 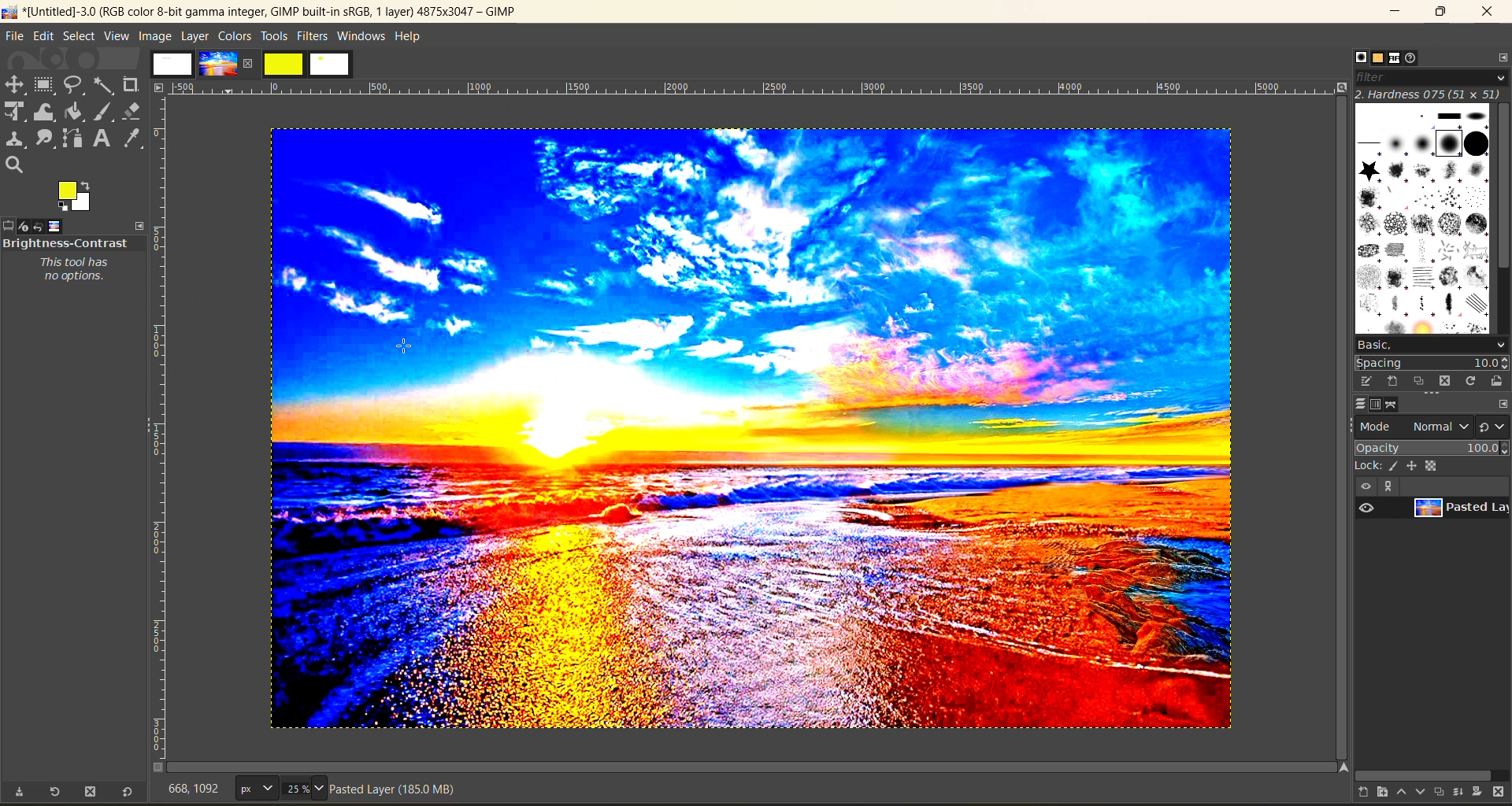 What do you see at coordinates (1368, 381) in the screenshot?
I see `edit` at bounding box center [1368, 381].